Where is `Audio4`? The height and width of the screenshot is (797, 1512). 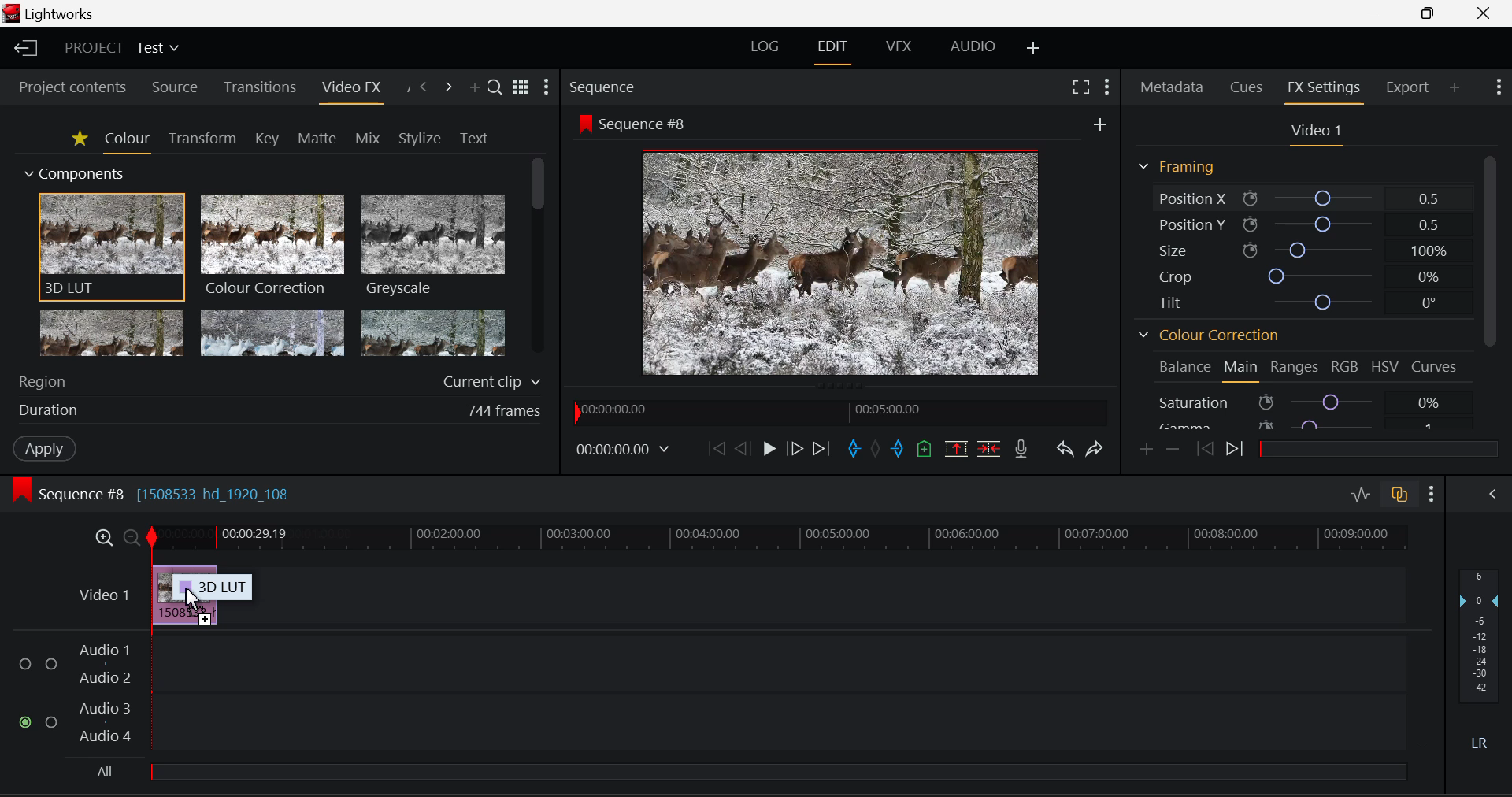 Audio4 is located at coordinates (106, 736).